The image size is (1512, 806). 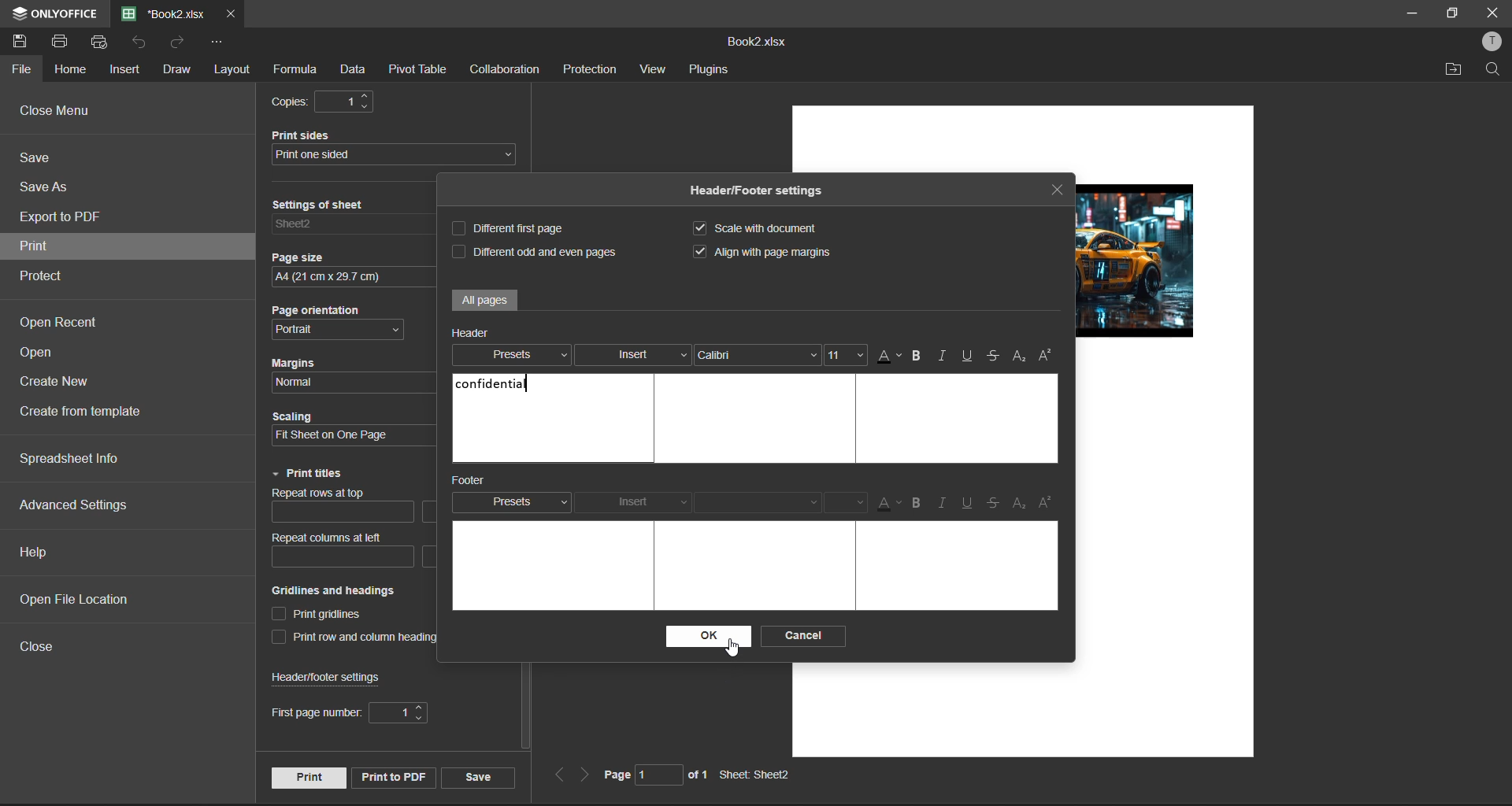 I want to click on repeat columns at top, so click(x=346, y=509).